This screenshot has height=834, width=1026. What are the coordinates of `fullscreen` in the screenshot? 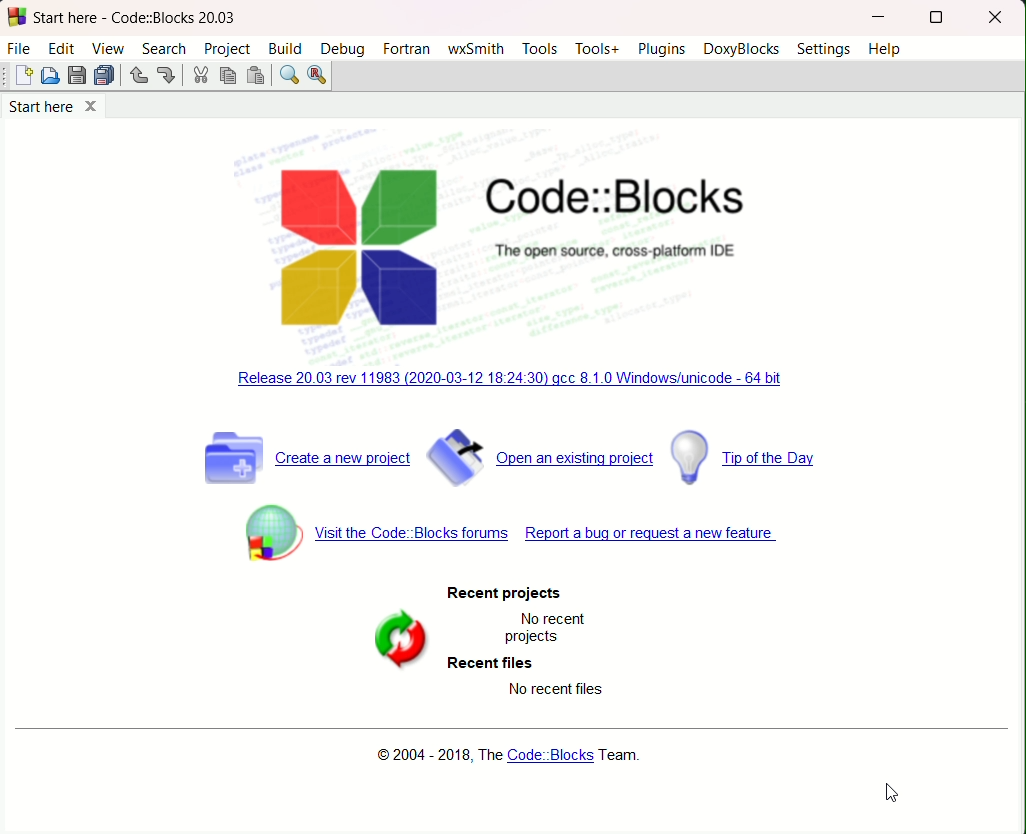 It's located at (934, 18).